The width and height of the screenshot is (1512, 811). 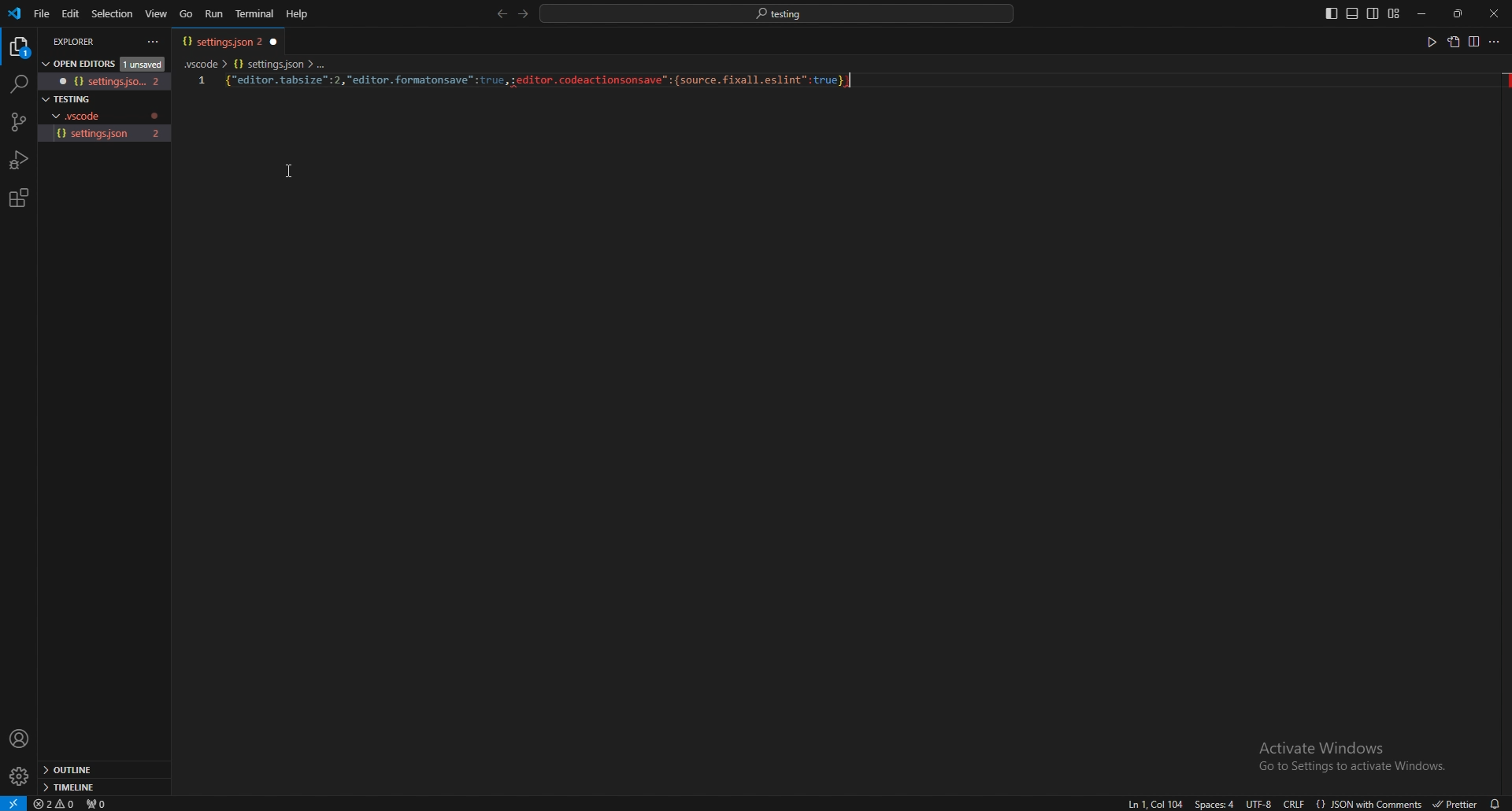 What do you see at coordinates (154, 42) in the screenshot?
I see `options` at bounding box center [154, 42].